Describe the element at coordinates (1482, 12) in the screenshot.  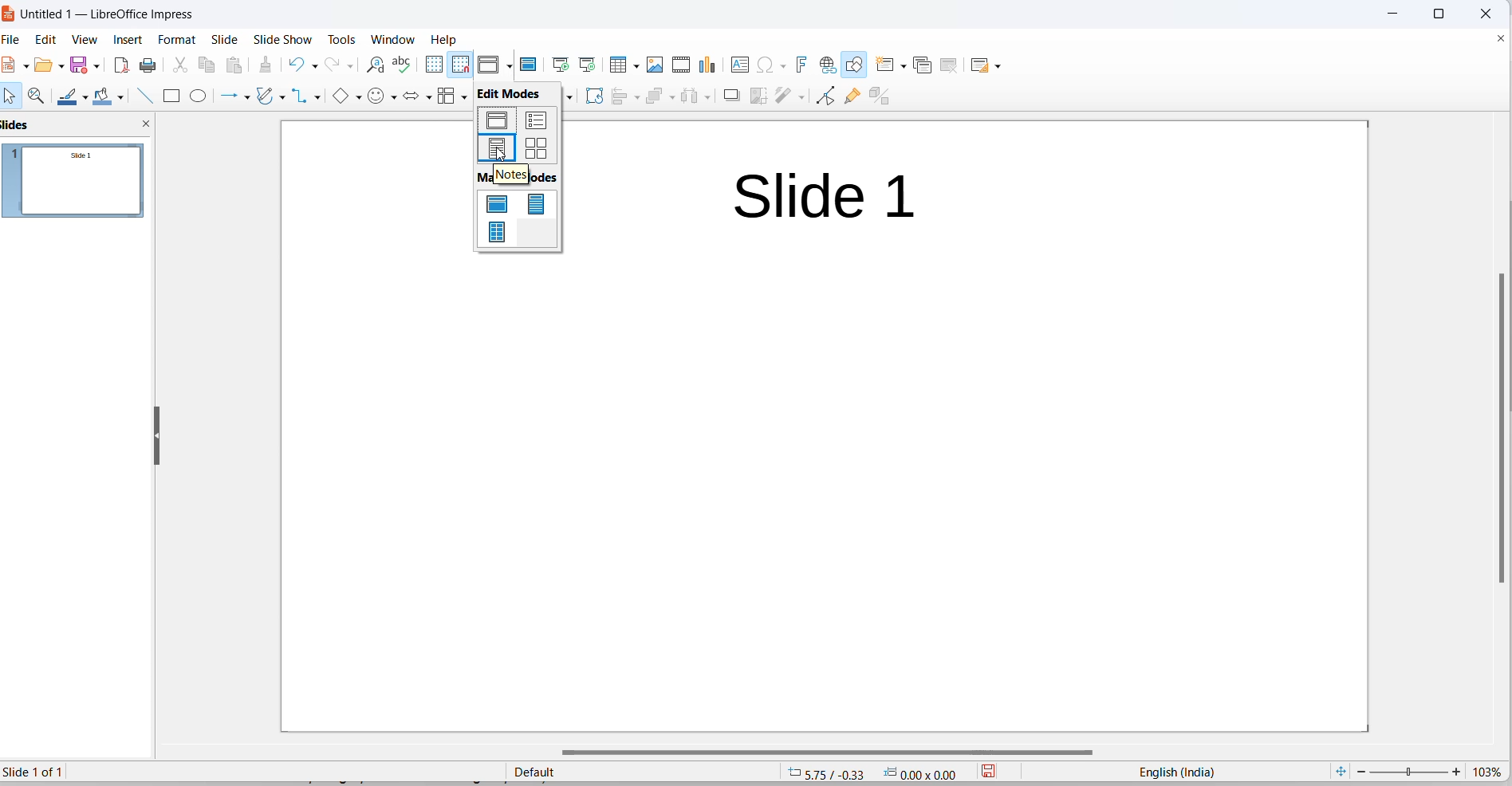
I see `close` at that location.